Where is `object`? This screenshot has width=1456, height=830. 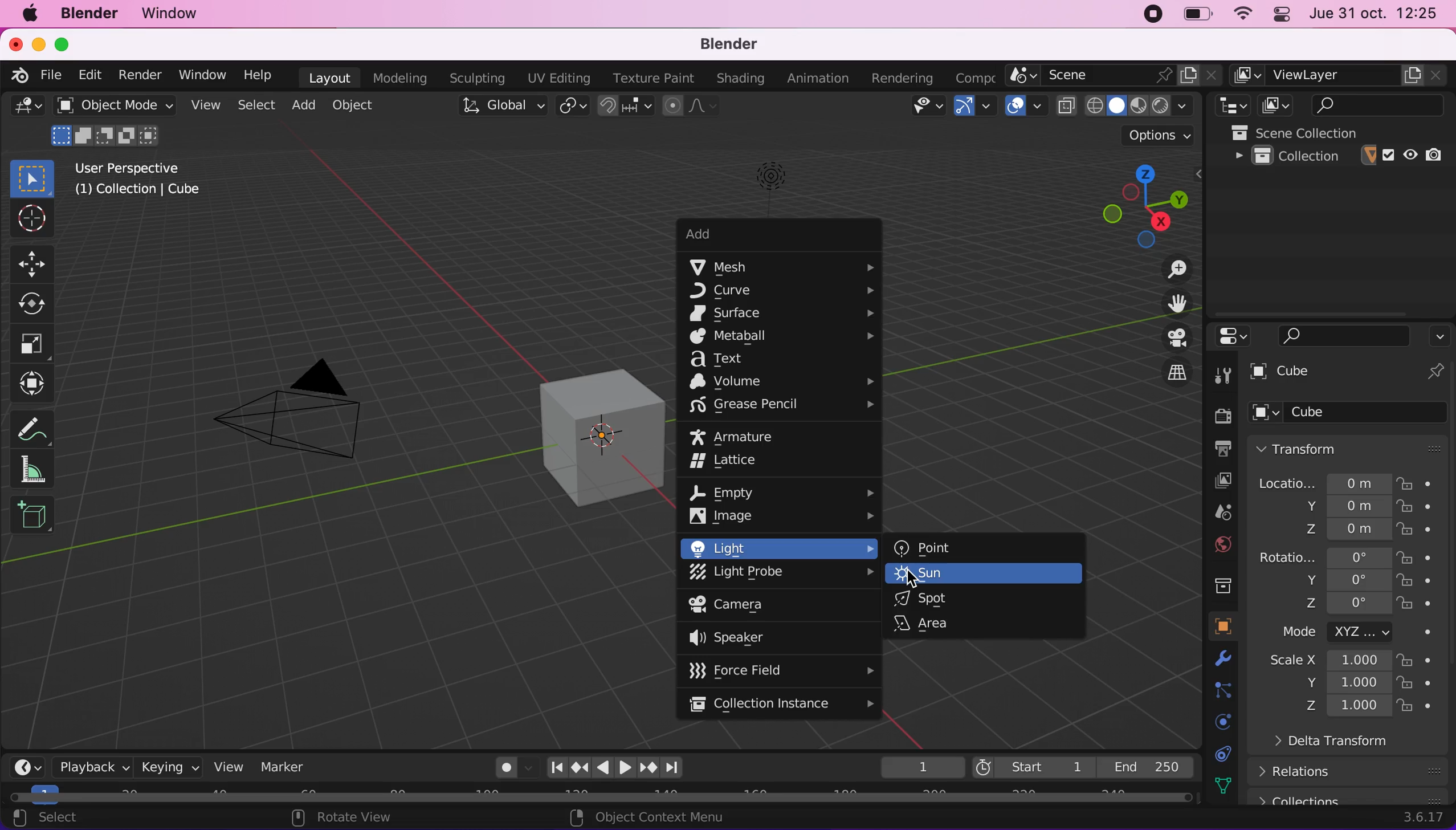 object is located at coordinates (353, 107).